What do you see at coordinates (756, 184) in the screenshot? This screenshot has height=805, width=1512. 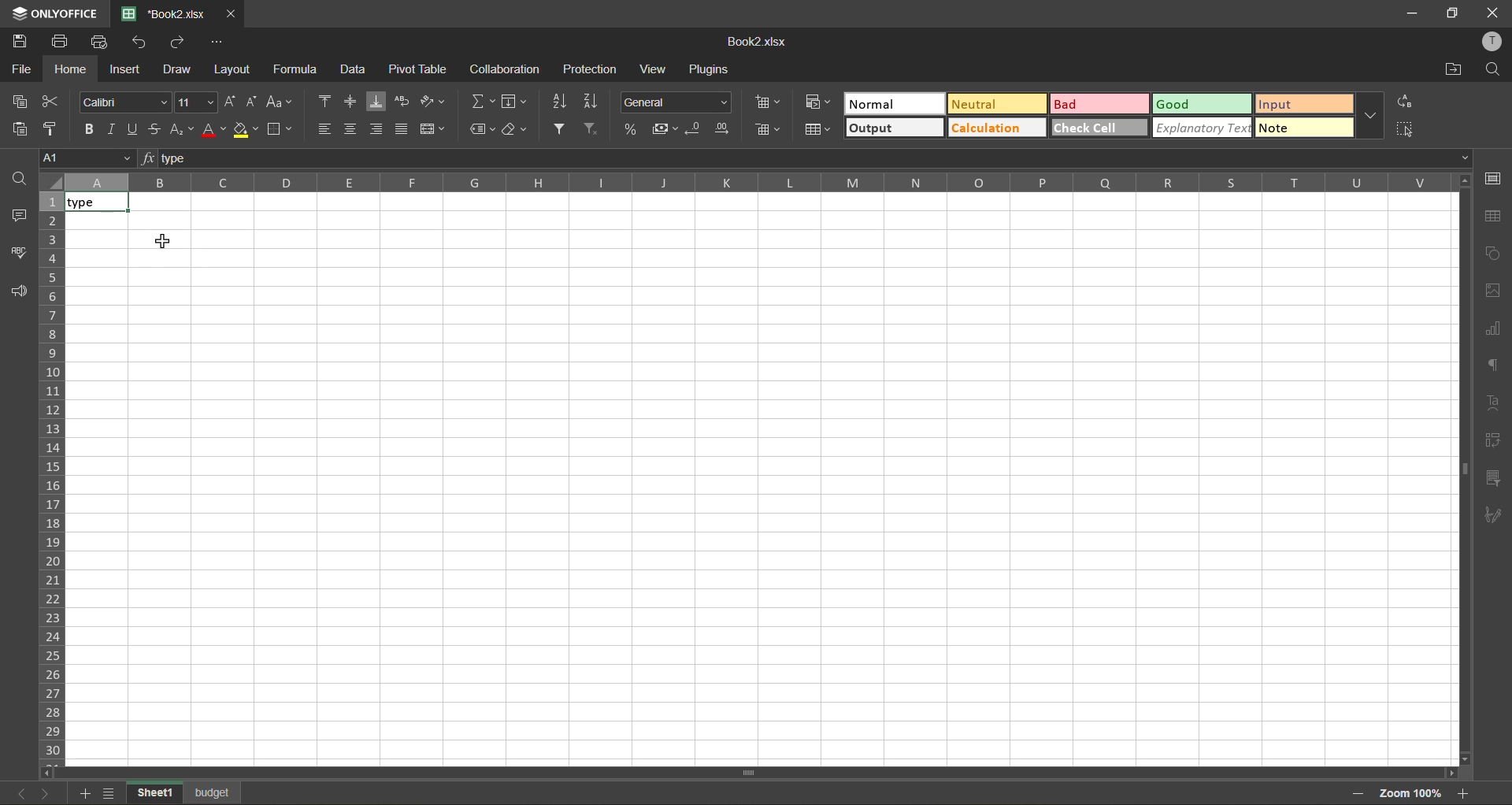 I see `column names` at bounding box center [756, 184].